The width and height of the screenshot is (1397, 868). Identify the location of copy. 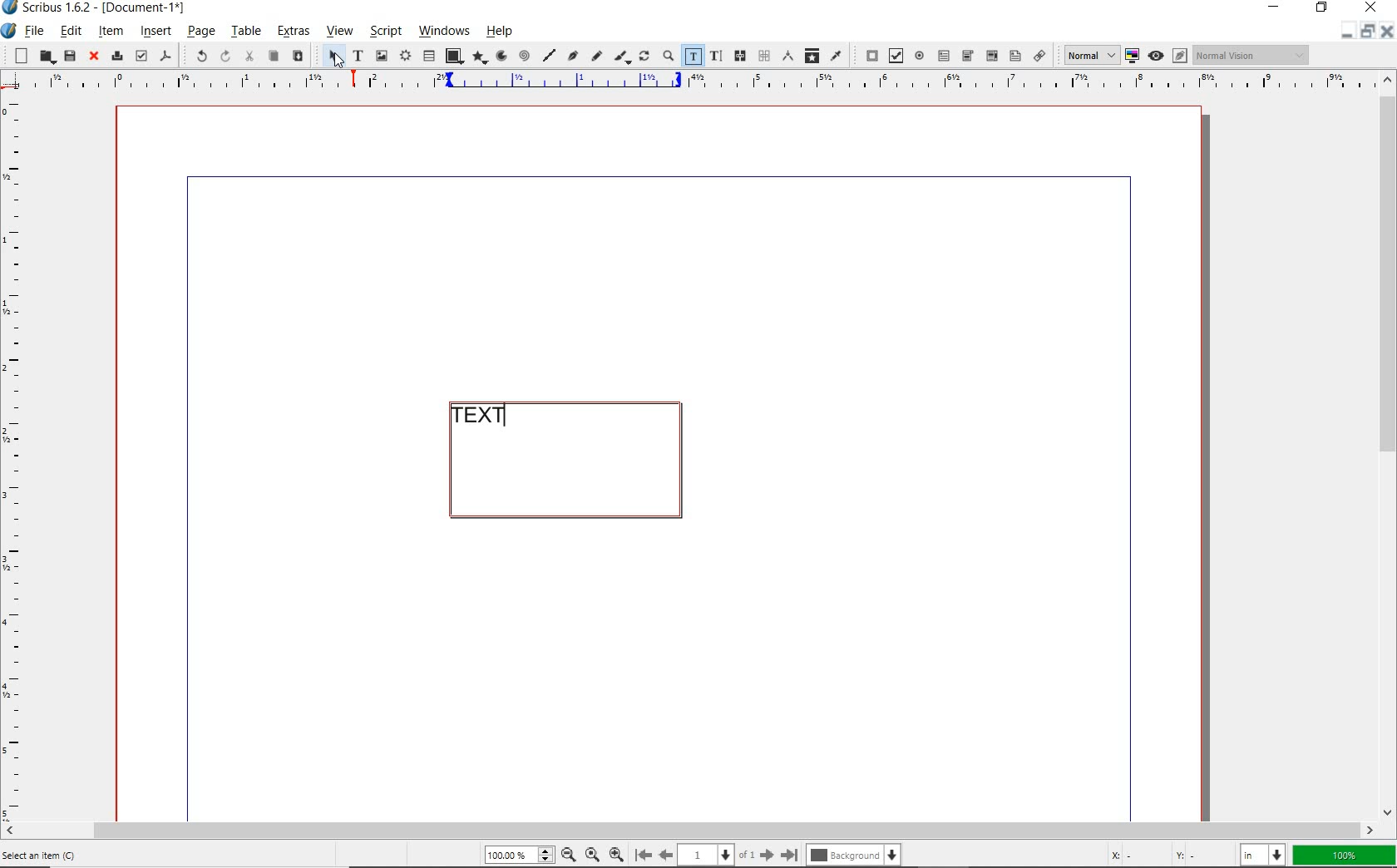
(274, 57).